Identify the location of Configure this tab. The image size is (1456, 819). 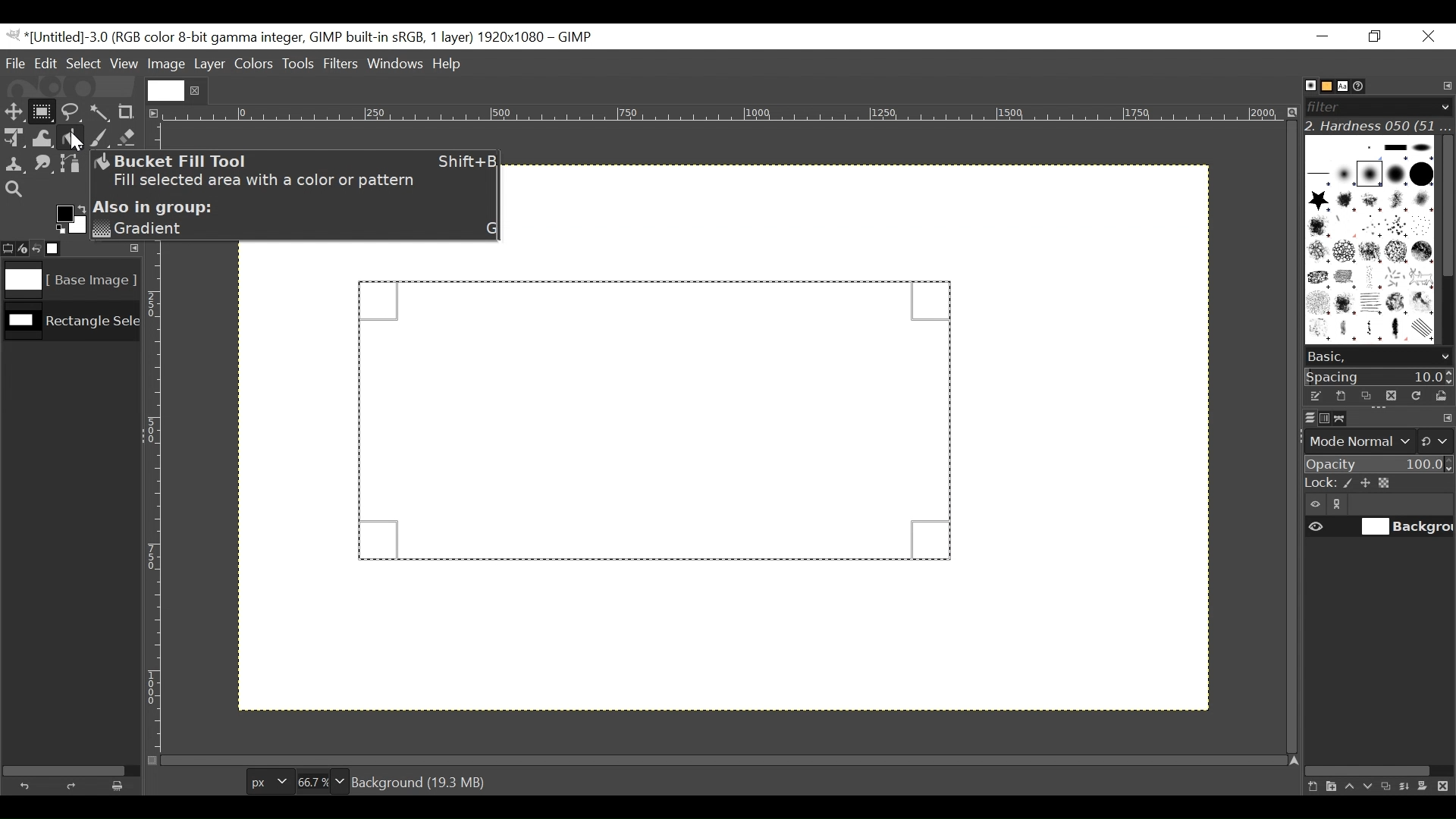
(131, 247).